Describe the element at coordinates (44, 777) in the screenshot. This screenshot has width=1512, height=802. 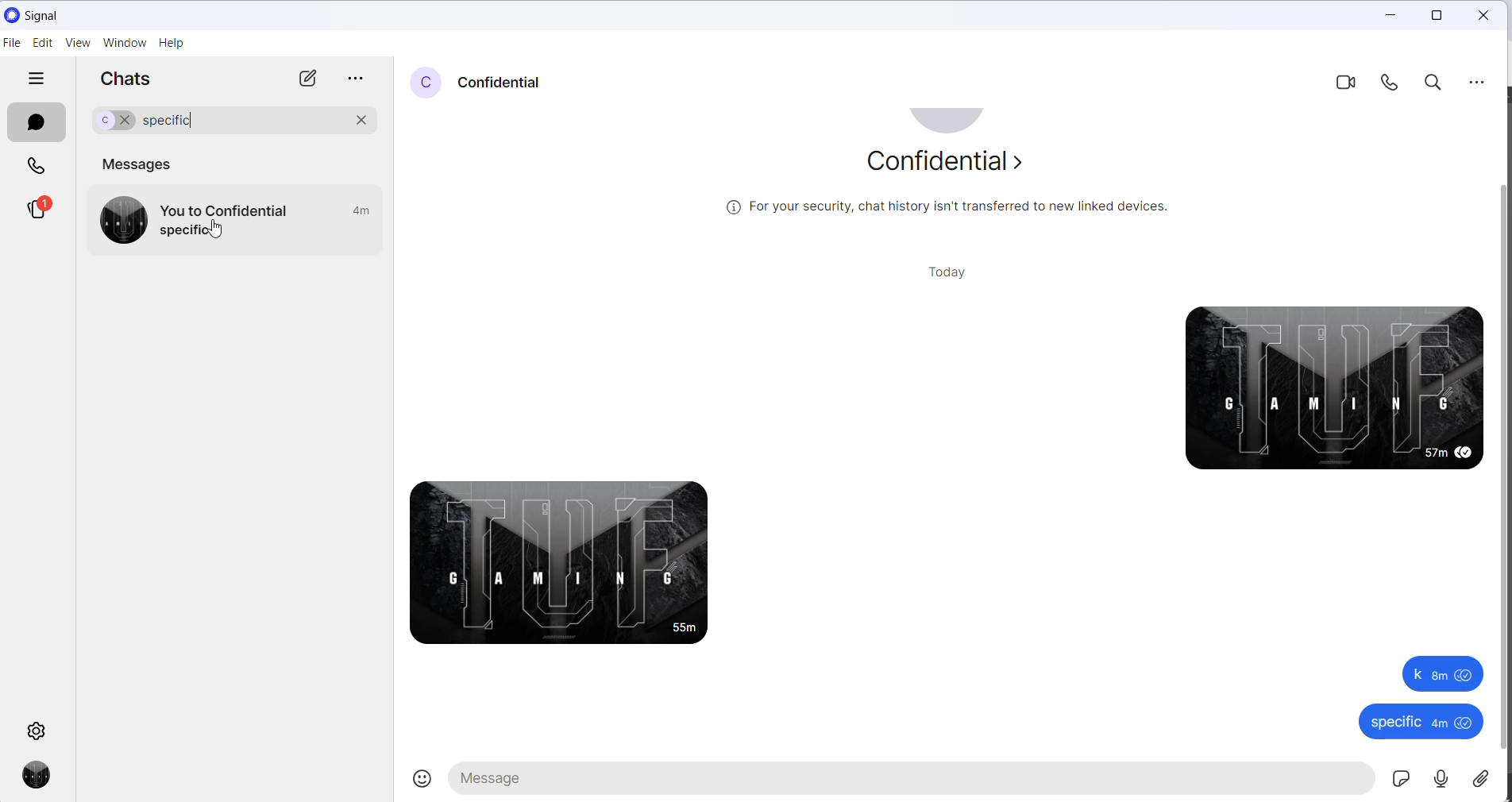
I see `profile` at that location.